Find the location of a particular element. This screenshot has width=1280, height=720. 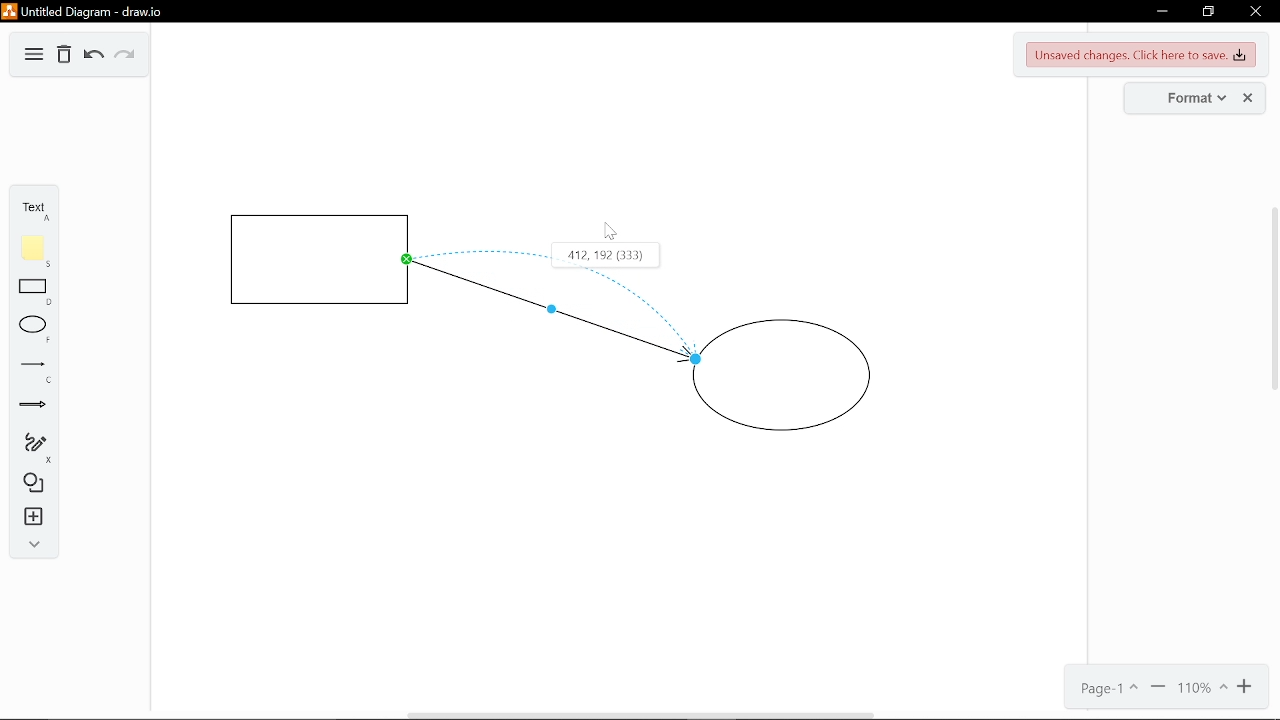

Current zoom is located at coordinates (1202, 687).